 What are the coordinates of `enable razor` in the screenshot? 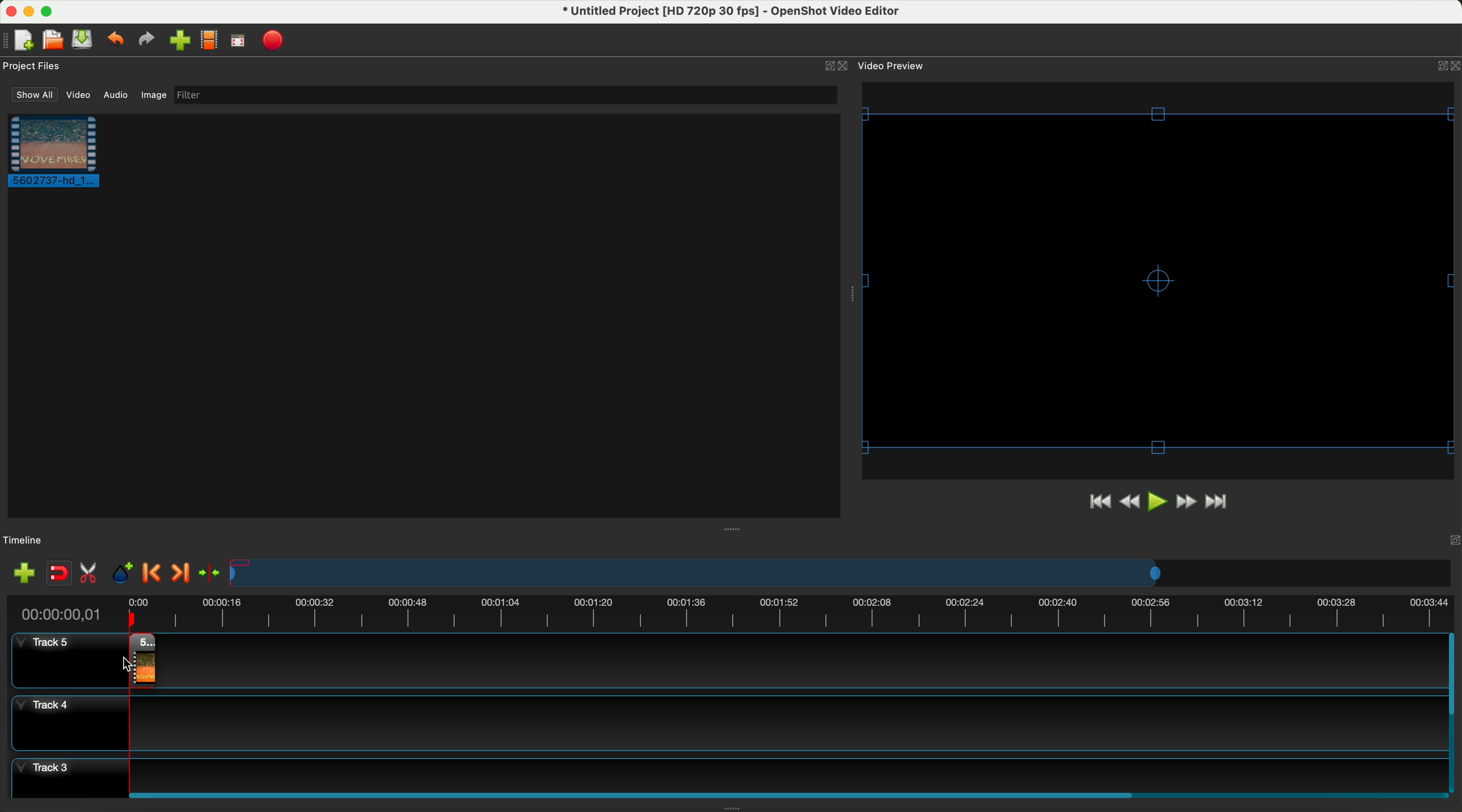 It's located at (91, 574).